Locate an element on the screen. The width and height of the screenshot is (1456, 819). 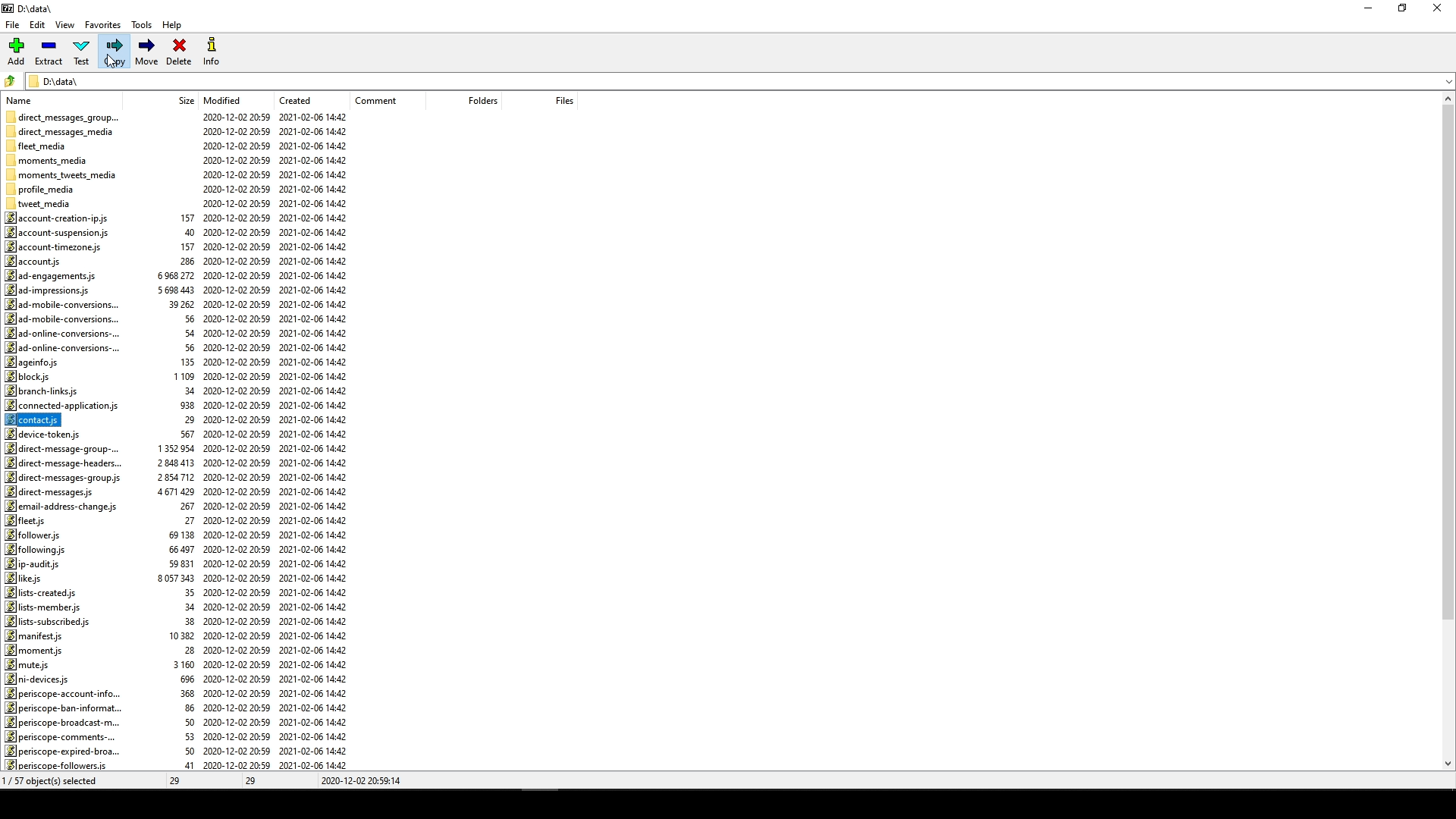
periscope-comments is located at coordinates (59, 737).